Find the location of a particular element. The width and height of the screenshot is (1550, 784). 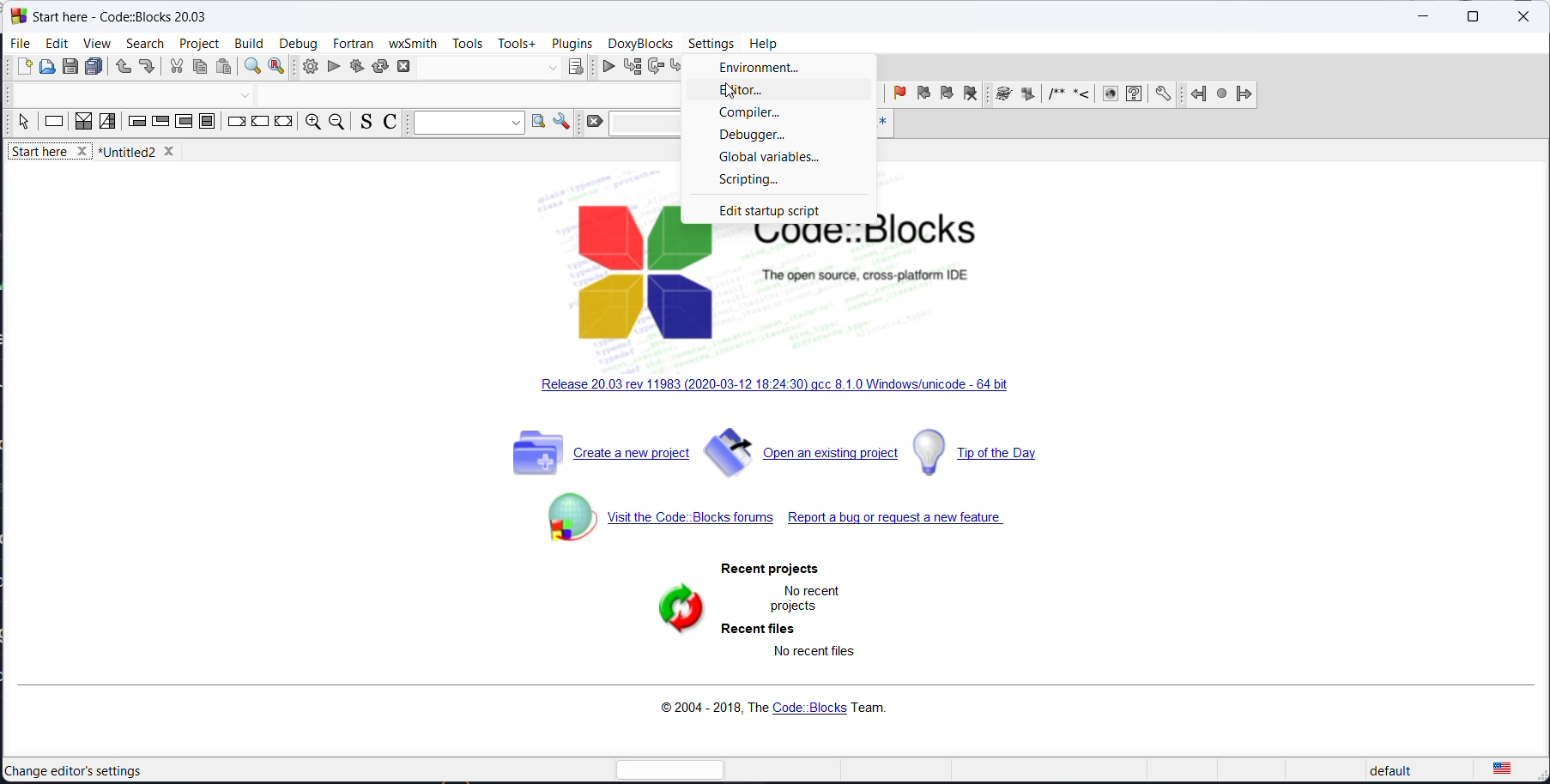

select is located at coordinates (23, 125).